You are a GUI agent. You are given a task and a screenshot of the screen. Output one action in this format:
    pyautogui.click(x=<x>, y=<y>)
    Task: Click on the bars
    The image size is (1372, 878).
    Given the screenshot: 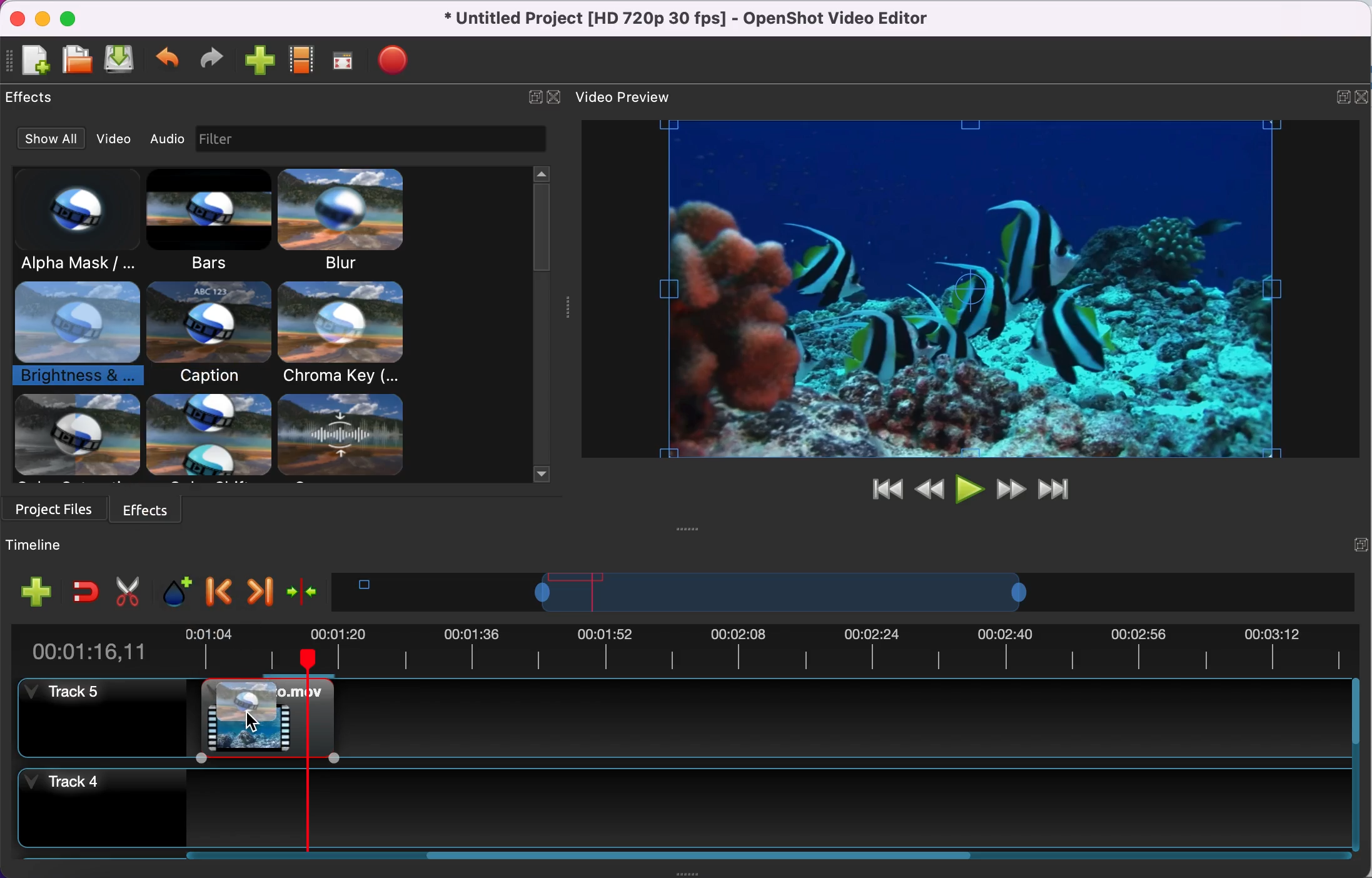 What is the action you would take?
    pyautogui.click(x=212, y=223)
    